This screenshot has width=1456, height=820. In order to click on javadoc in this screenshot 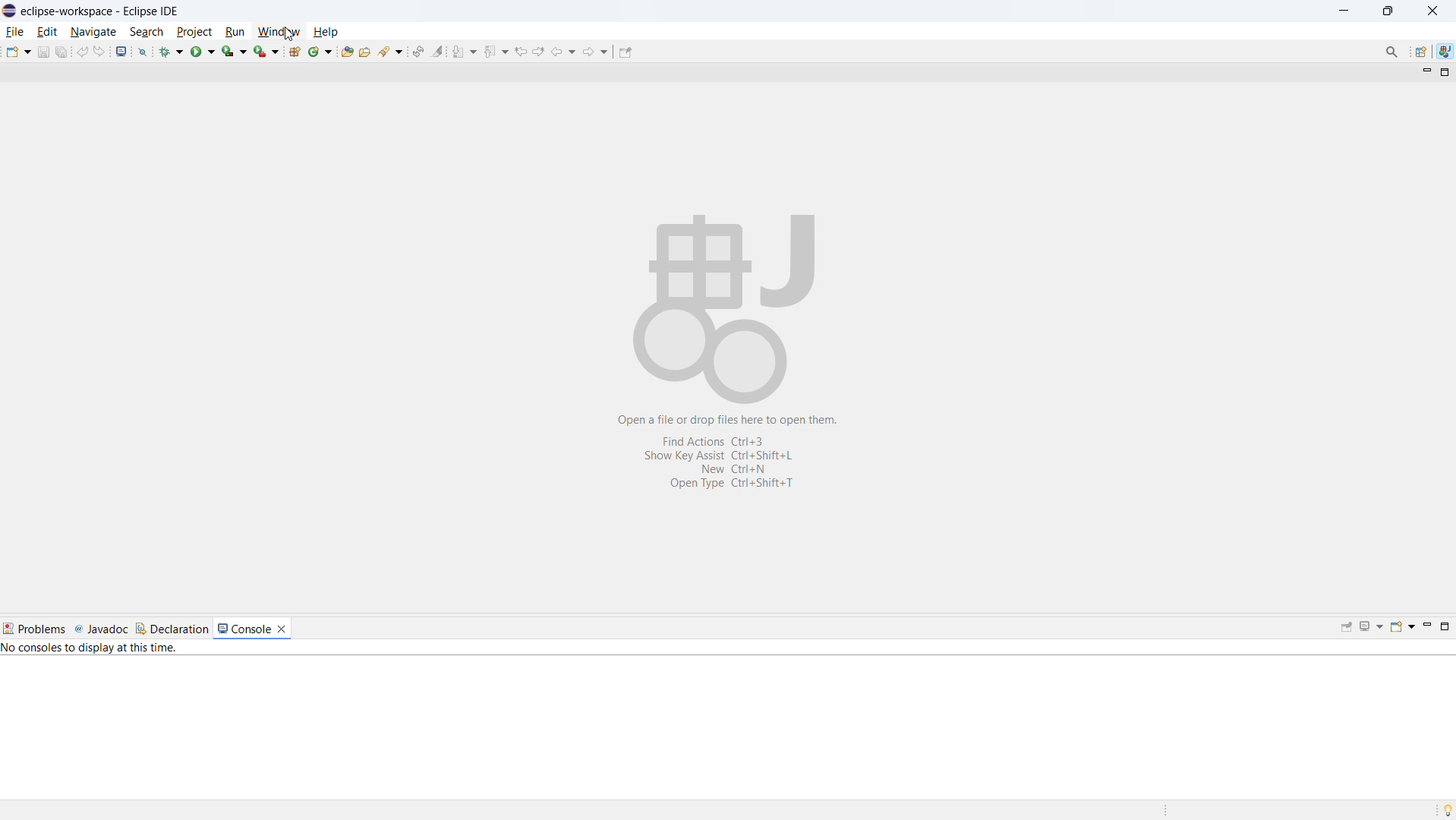, I will do `click(101, 629)`.